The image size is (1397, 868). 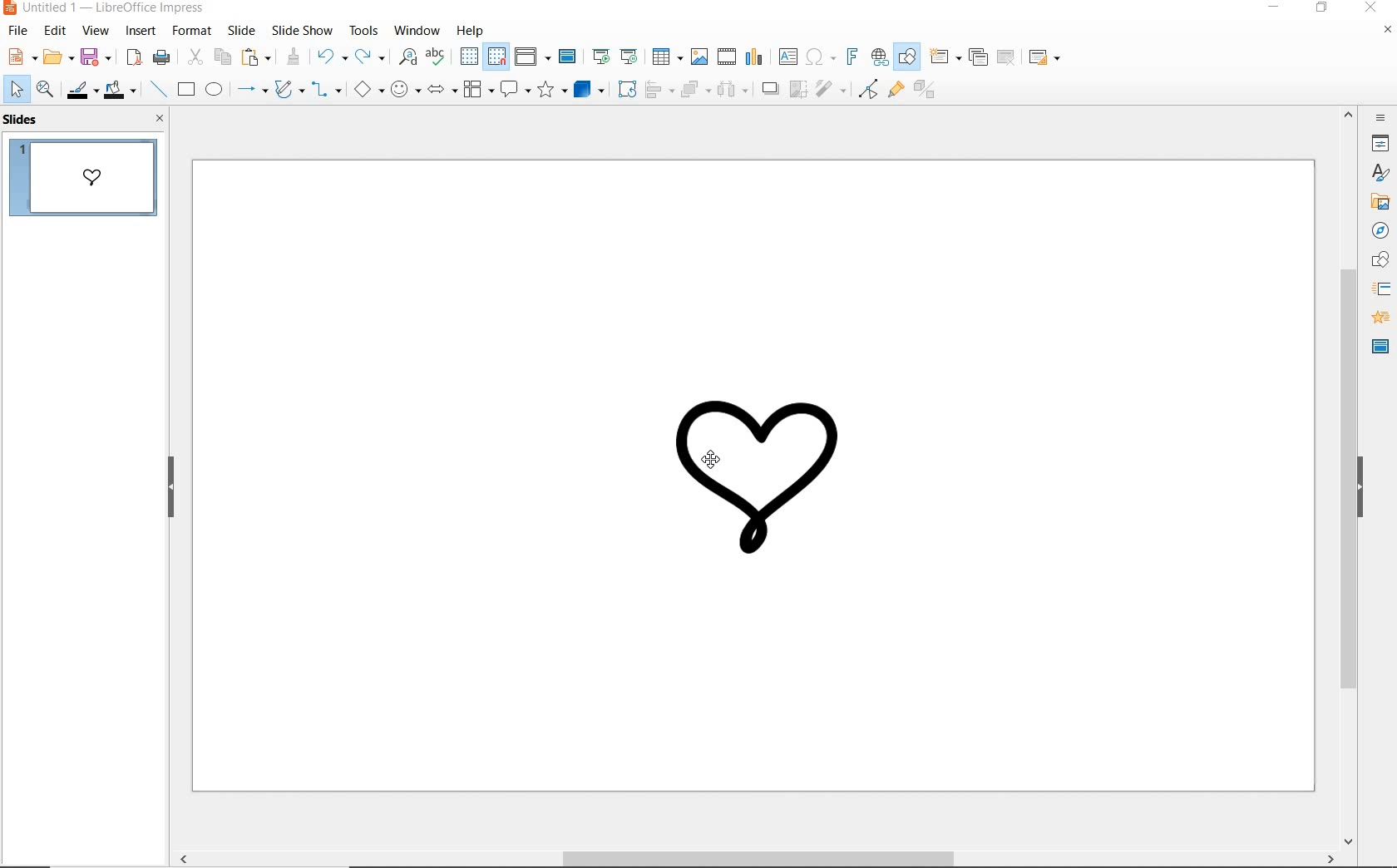 I want to click on start from current slide, so click(x=629, y=57).